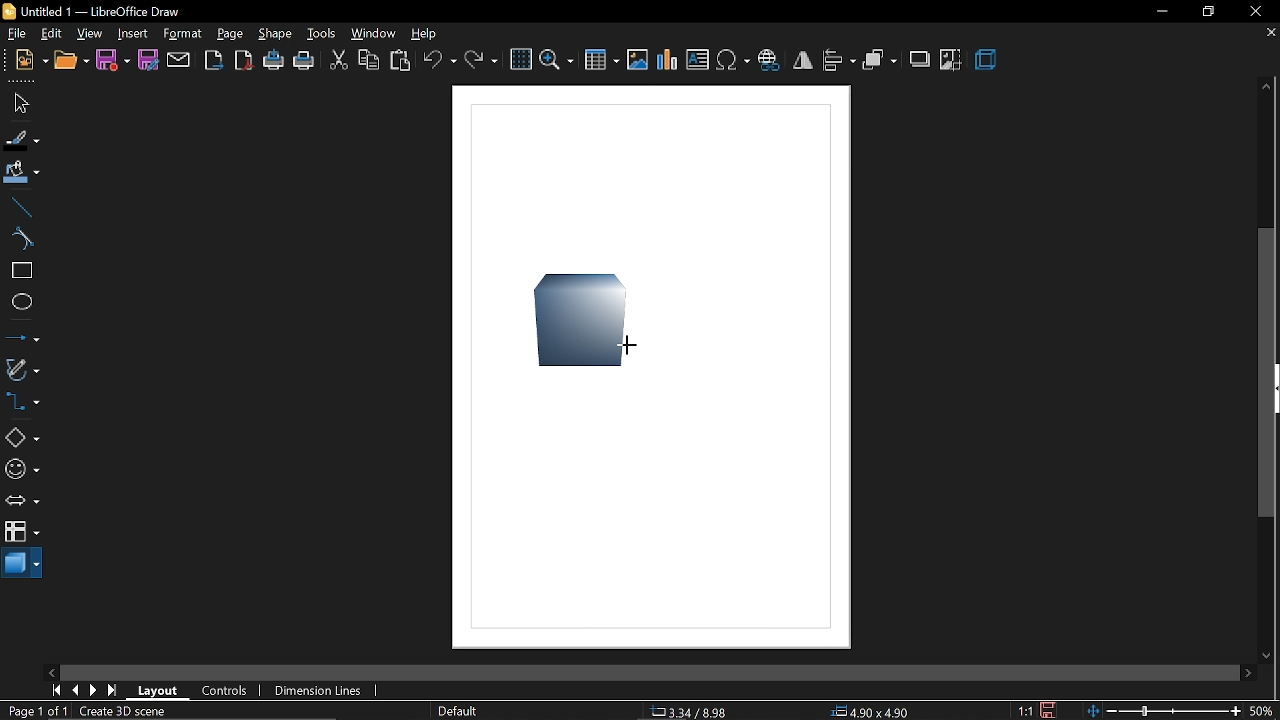 The height and width of the screenshot is (720, 1280). Describe the element at coordinates (52, 35) in the screenshot. I see `edit` at that location.